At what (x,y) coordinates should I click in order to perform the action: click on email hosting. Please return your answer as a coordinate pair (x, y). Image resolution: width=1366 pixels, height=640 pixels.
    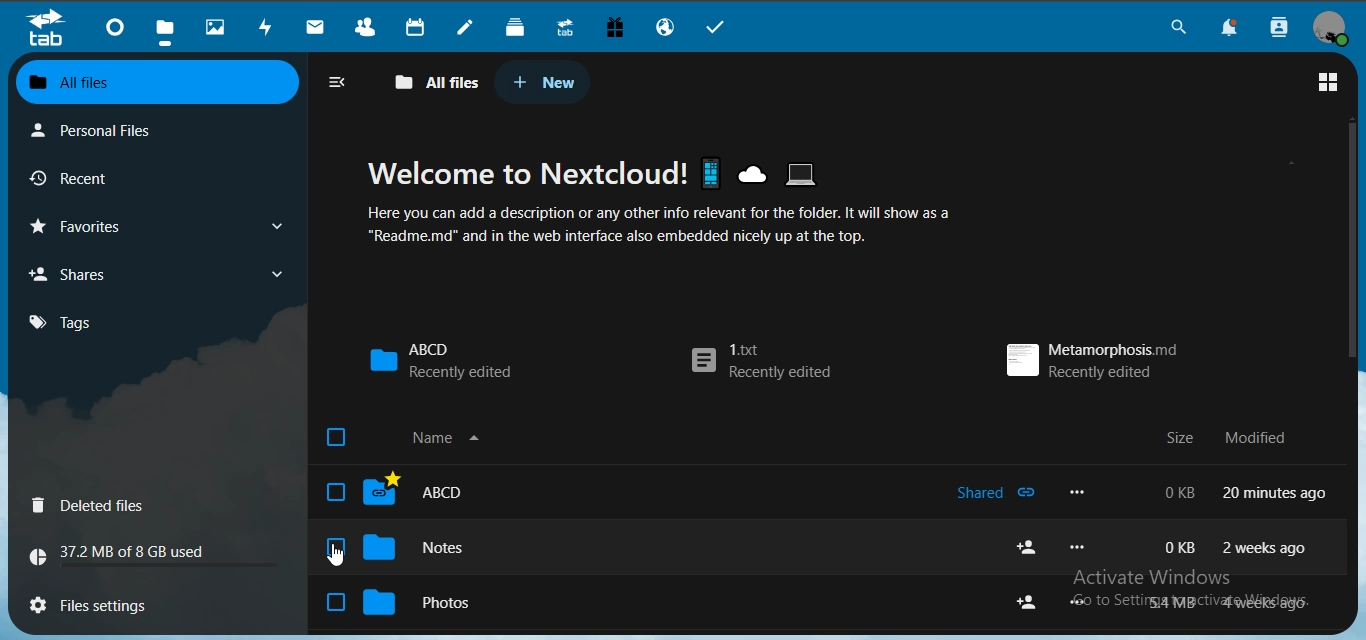
    Looking at the image, I should click on (664, 25).